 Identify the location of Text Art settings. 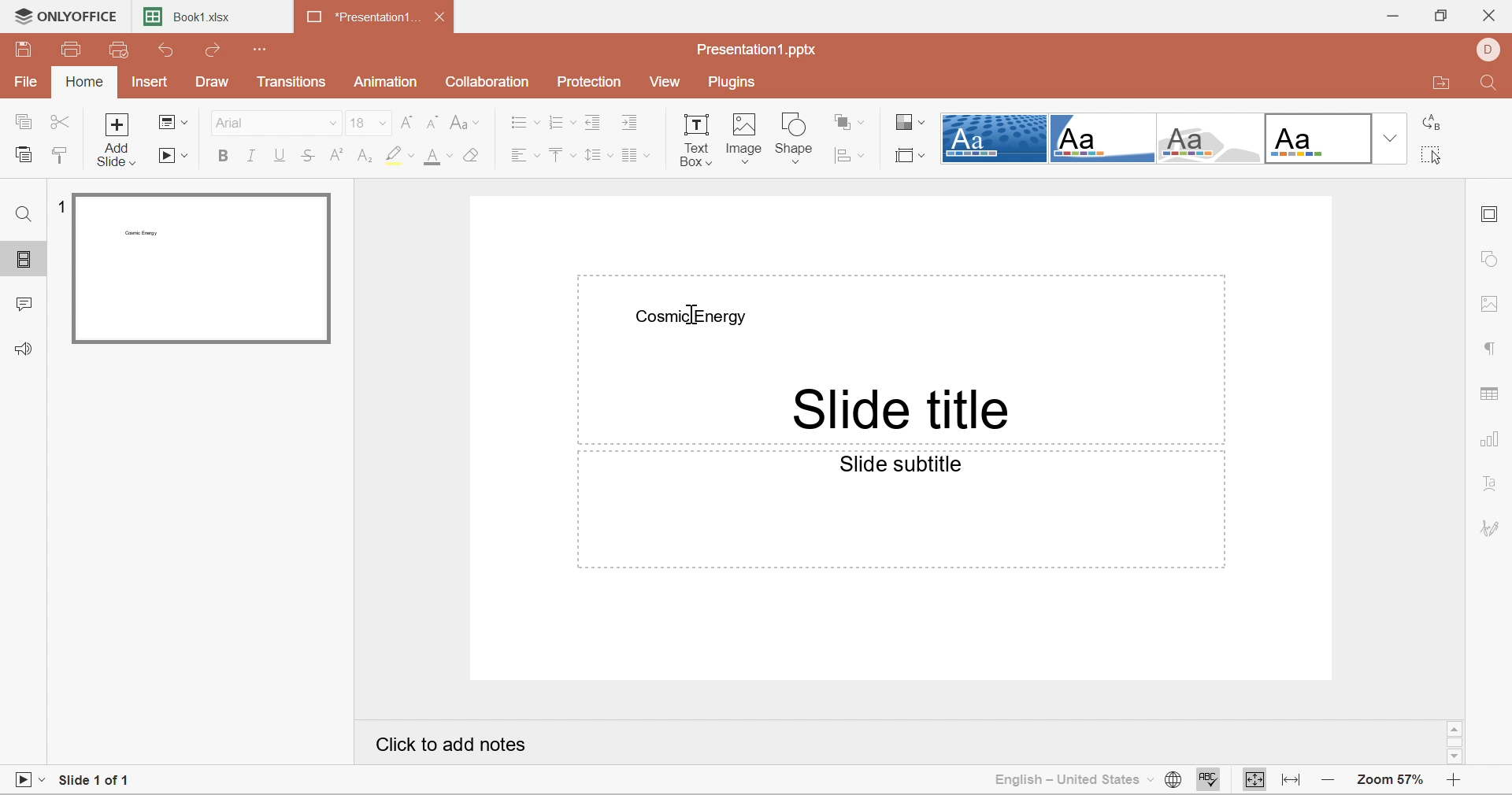
(1494, 486).